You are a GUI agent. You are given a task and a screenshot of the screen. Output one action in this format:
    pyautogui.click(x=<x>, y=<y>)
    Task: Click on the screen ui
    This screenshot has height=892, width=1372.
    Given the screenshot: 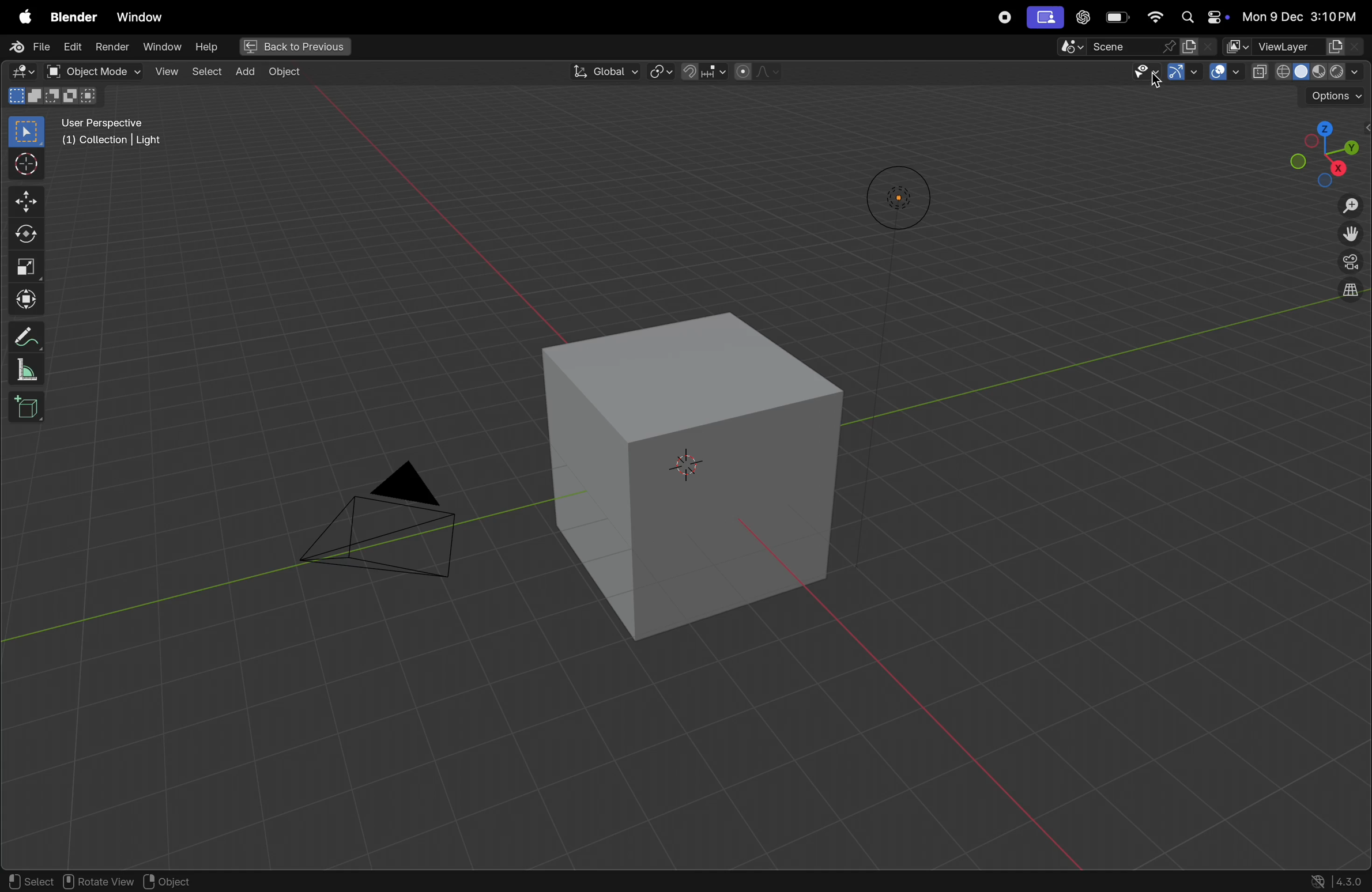 What is the action you would take?
    pyautogui.click(x=1044, y=18)
    